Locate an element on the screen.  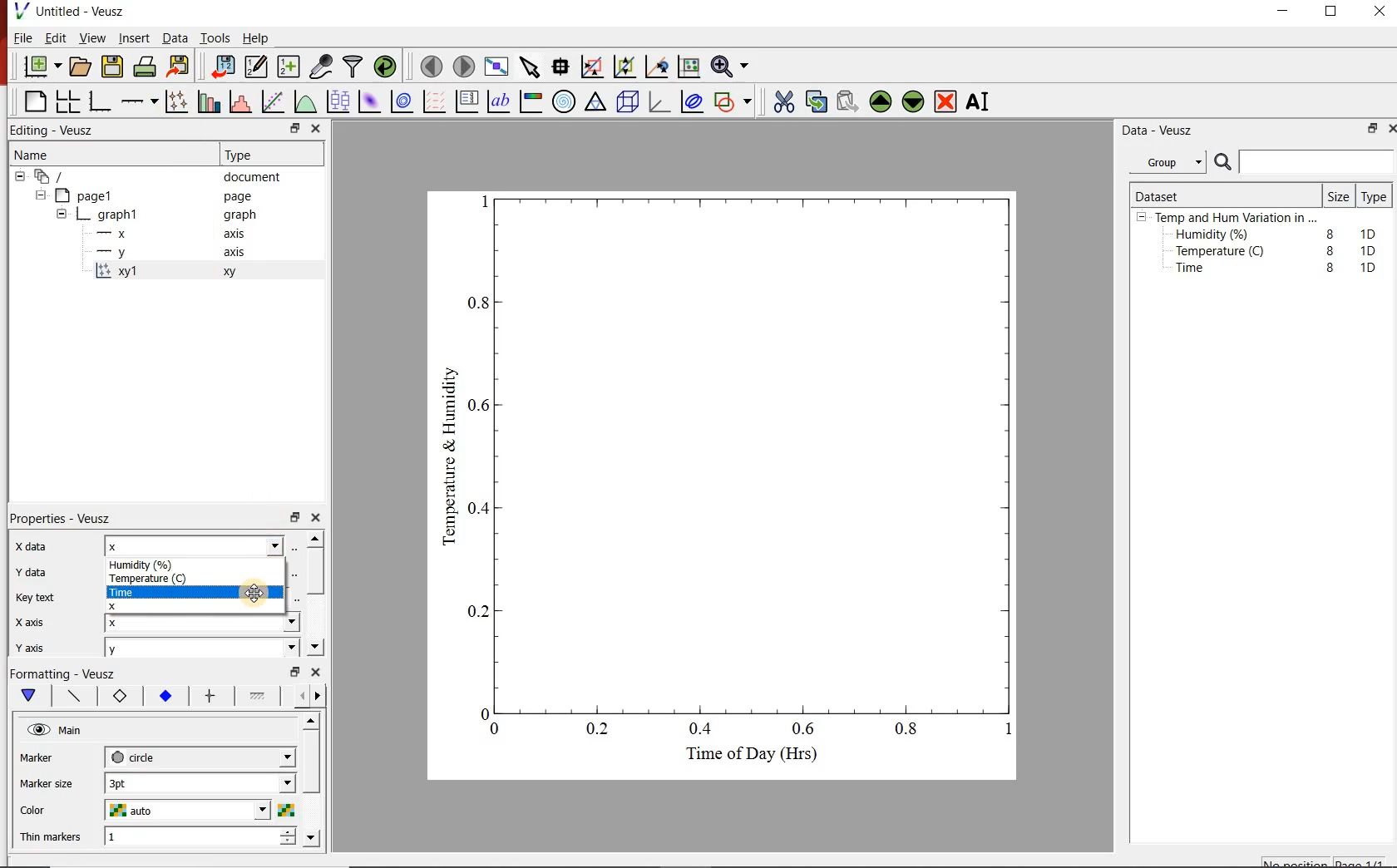
Rename the selected widget is located at coordinates (981, 101).